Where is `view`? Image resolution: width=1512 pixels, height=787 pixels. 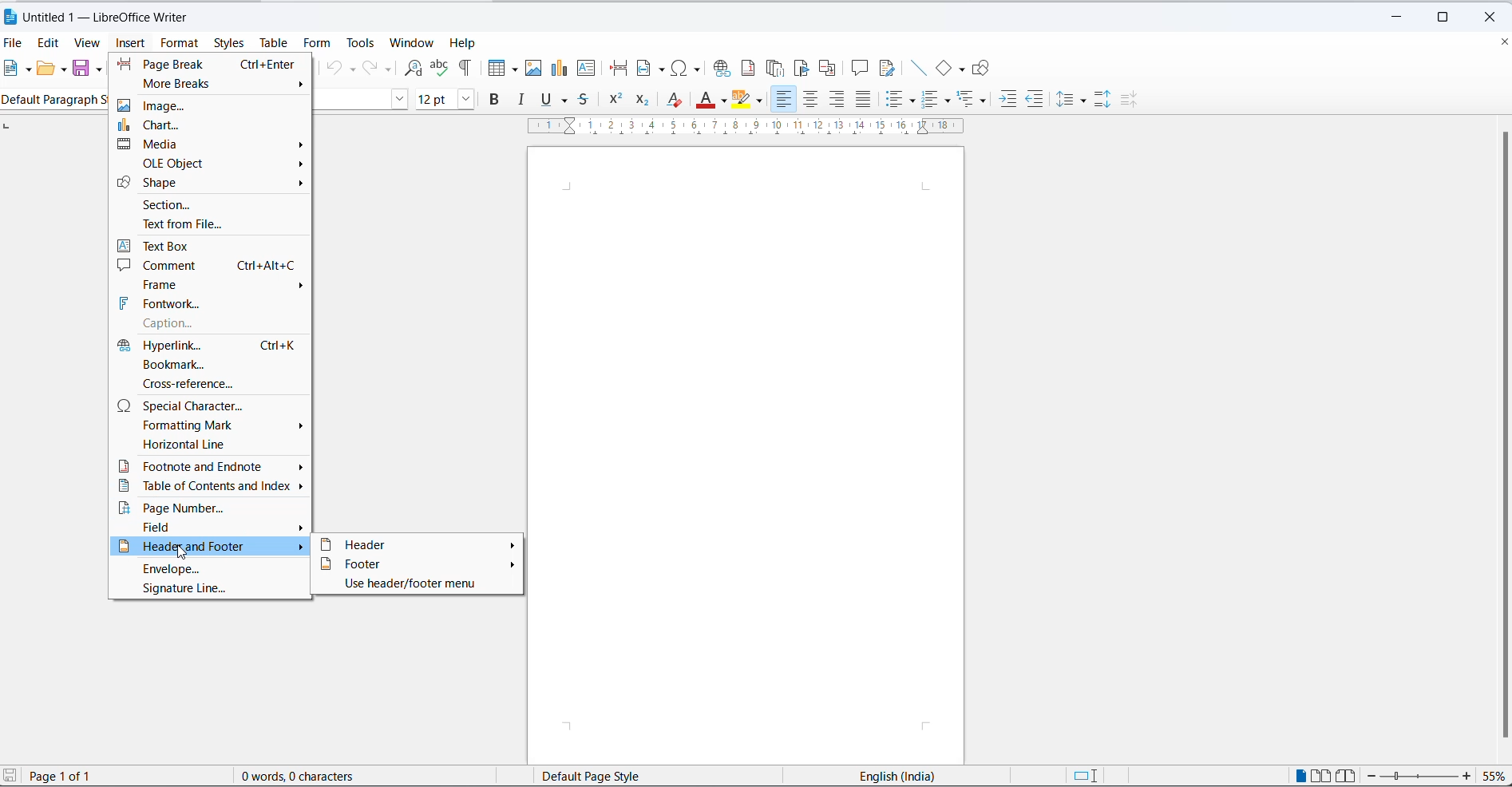
view is located at coordinates (89, 42).